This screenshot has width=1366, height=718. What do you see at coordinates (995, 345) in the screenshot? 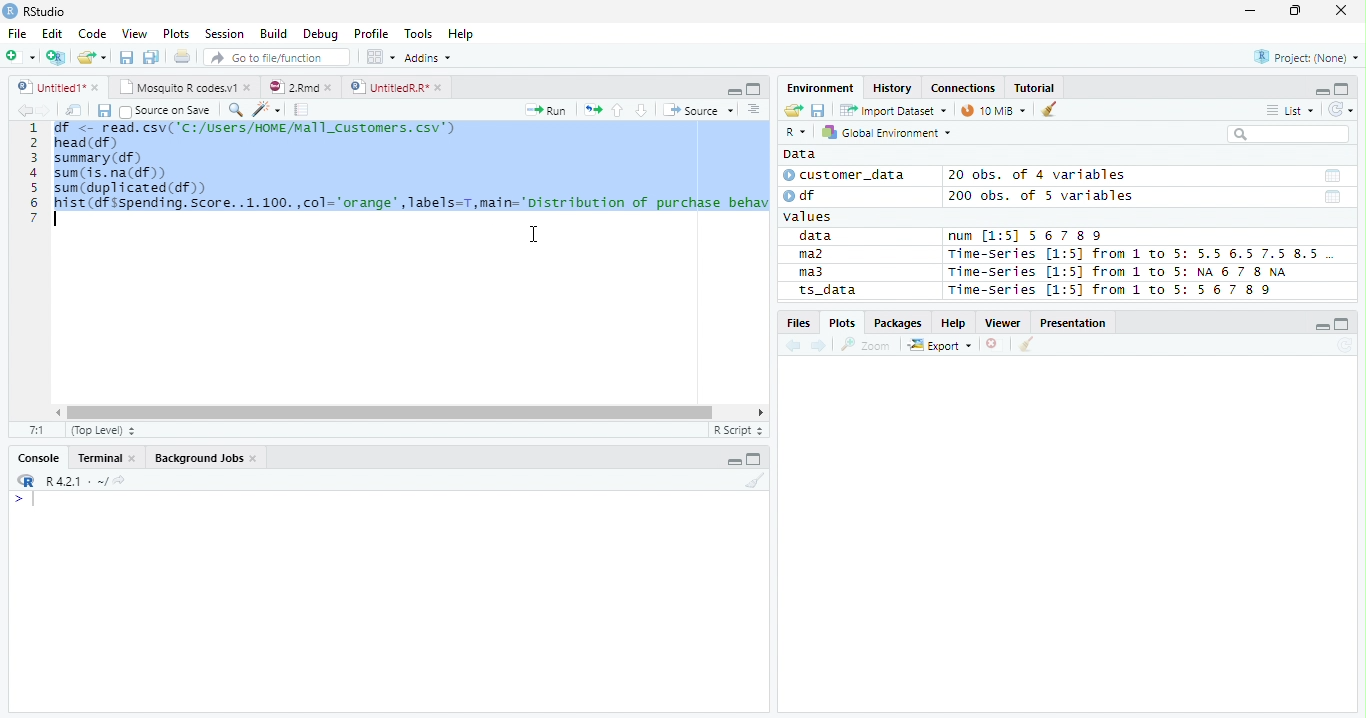
I see `Delete` at bounding box center [995, 345].